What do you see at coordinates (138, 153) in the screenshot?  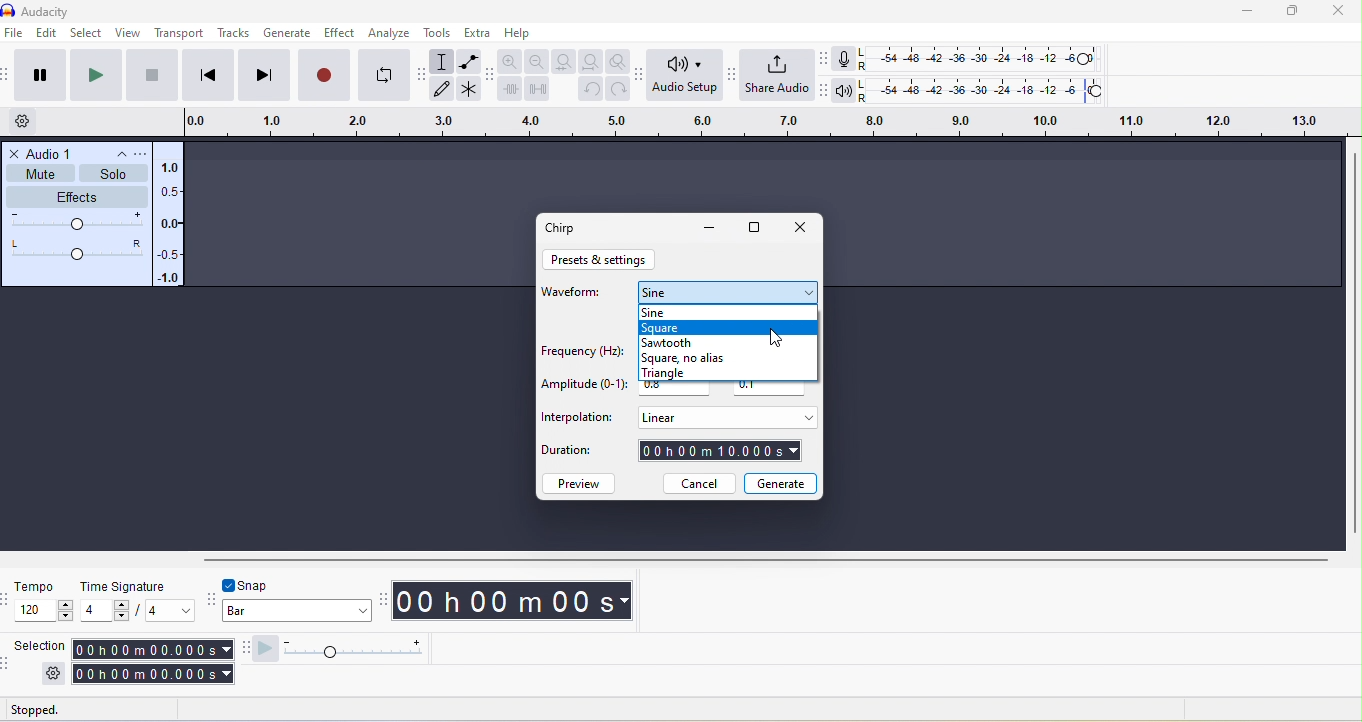 I see `open menu` at bounding box center [138, 153].